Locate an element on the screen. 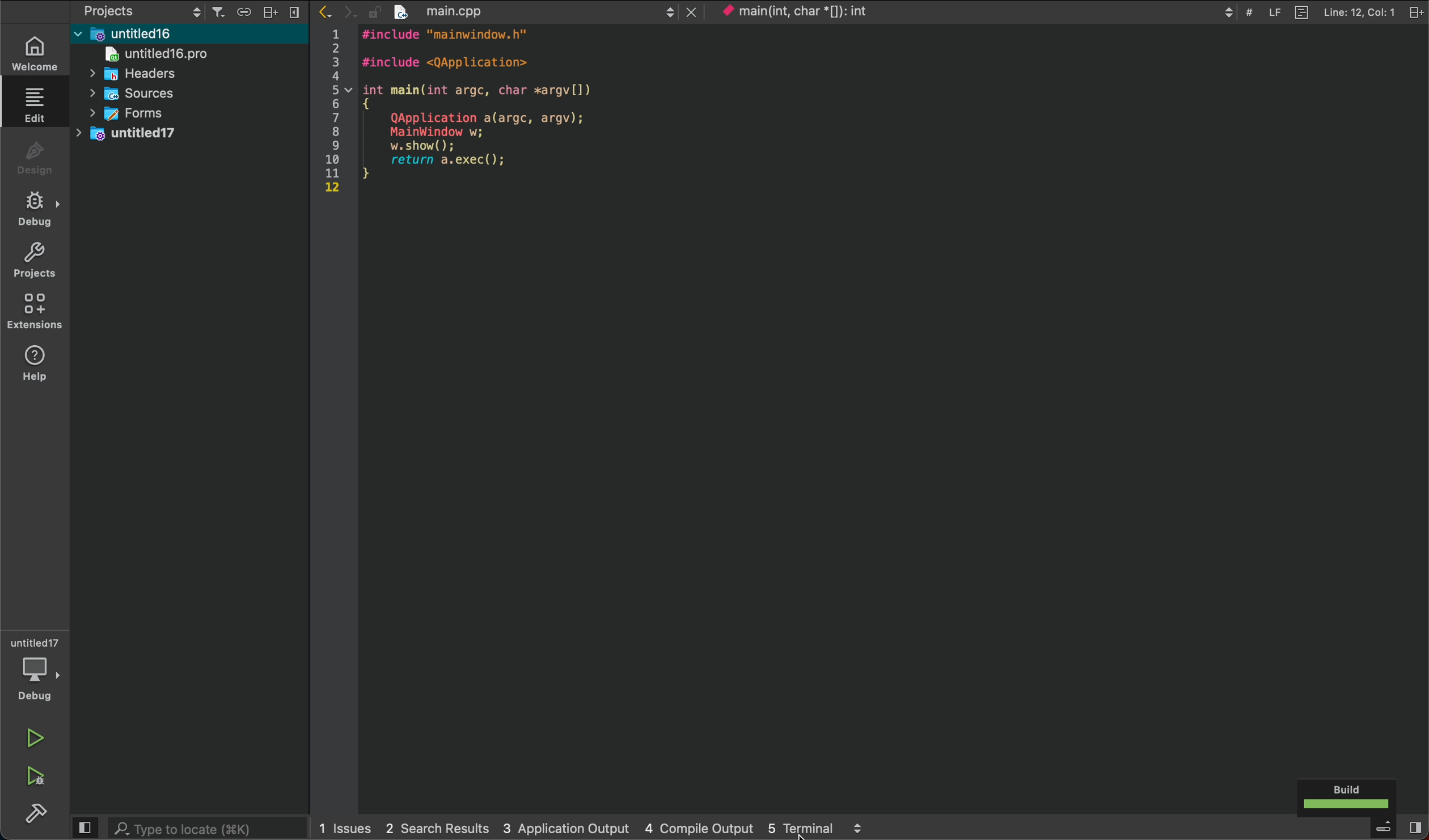 The image size is (1429, 840). edit is located at coordinates (34, 103).